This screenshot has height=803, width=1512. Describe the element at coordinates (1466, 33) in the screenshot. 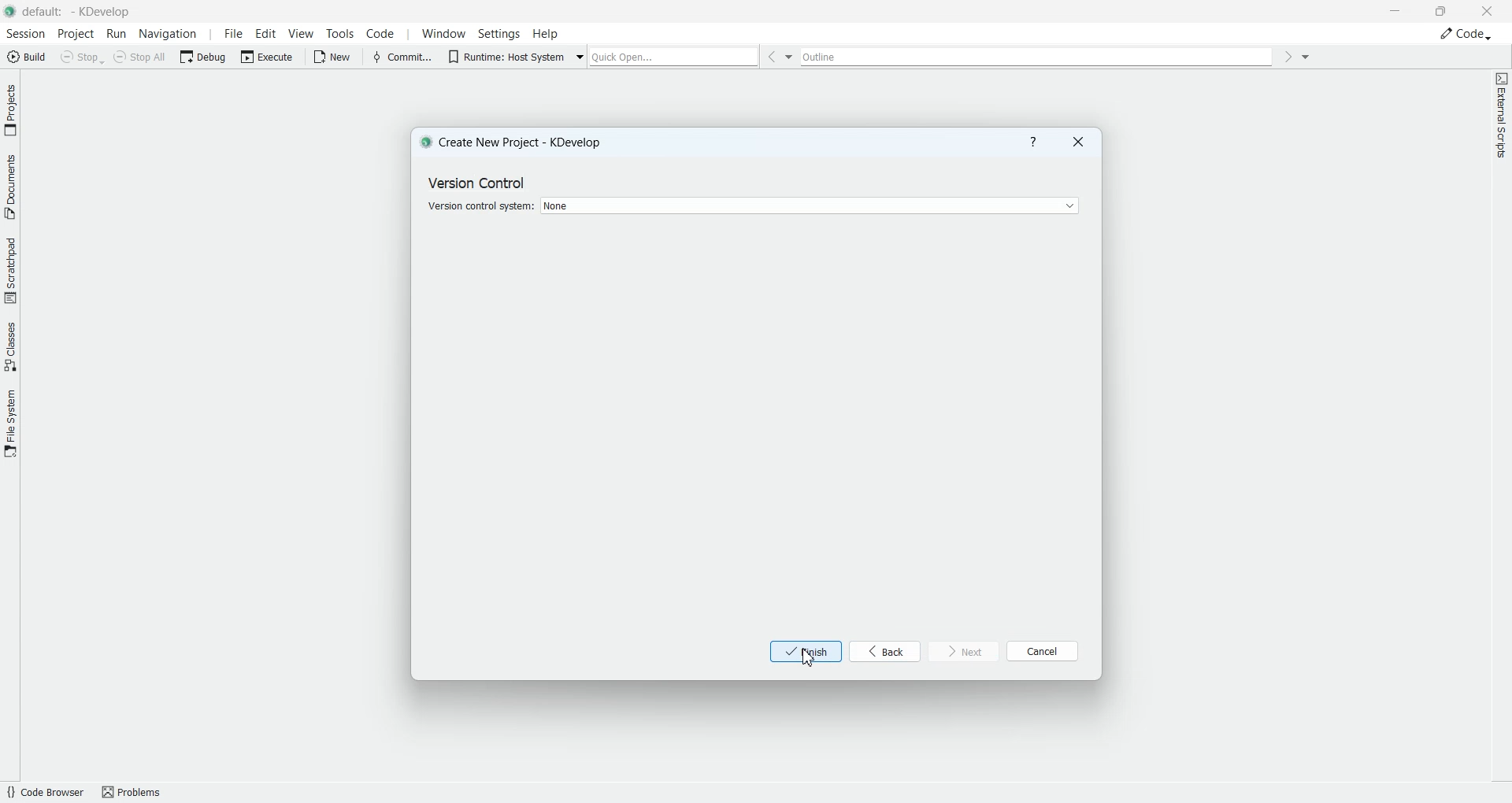

I see `Code` at that location.